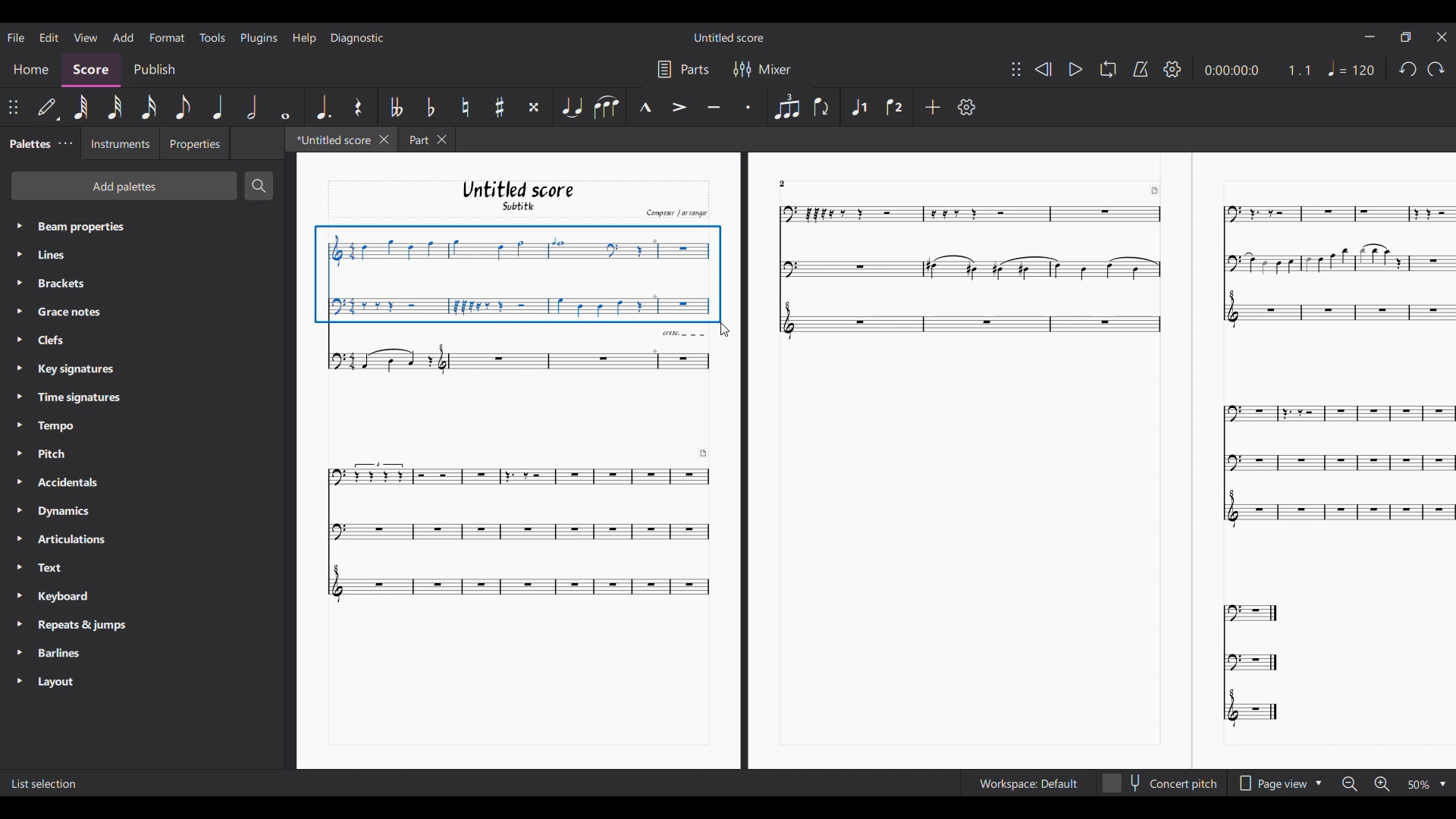 The image size is (1456, 819). Describe the element at coordinates (168, 37) in the screenshot. I see `Format` at that location.